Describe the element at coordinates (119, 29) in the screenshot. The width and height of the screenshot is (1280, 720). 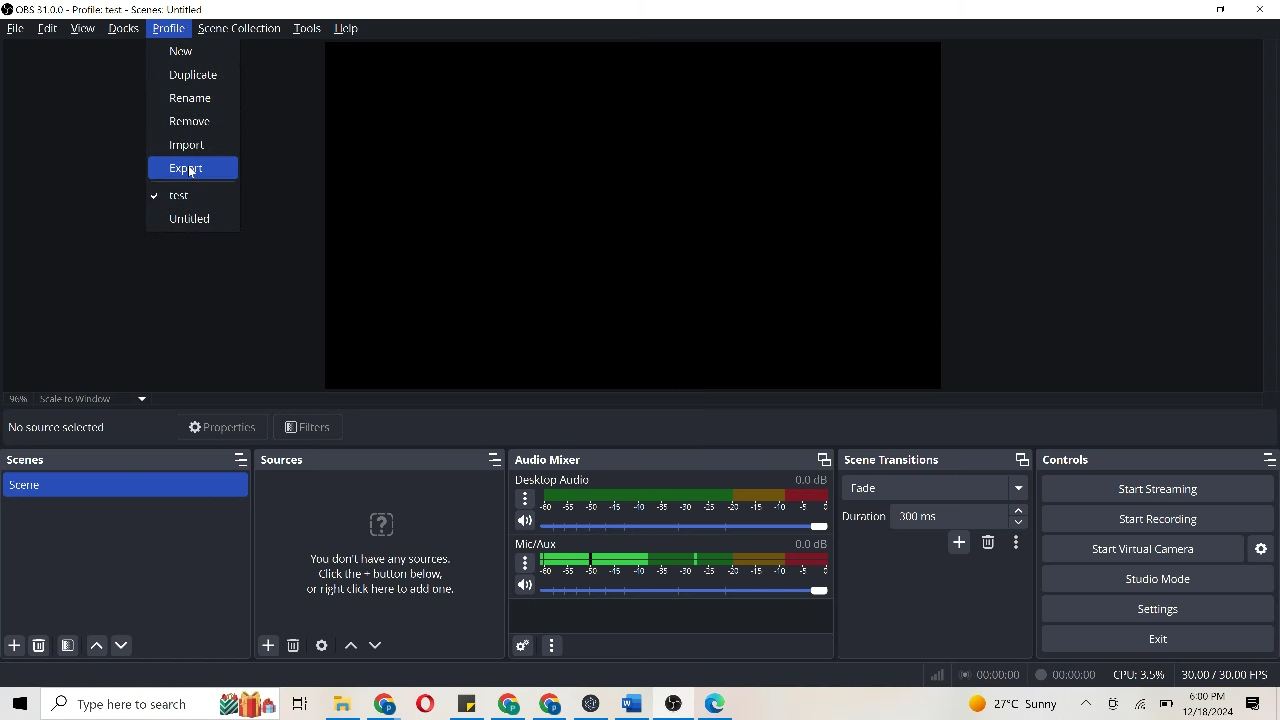
I see `docks` at that location.